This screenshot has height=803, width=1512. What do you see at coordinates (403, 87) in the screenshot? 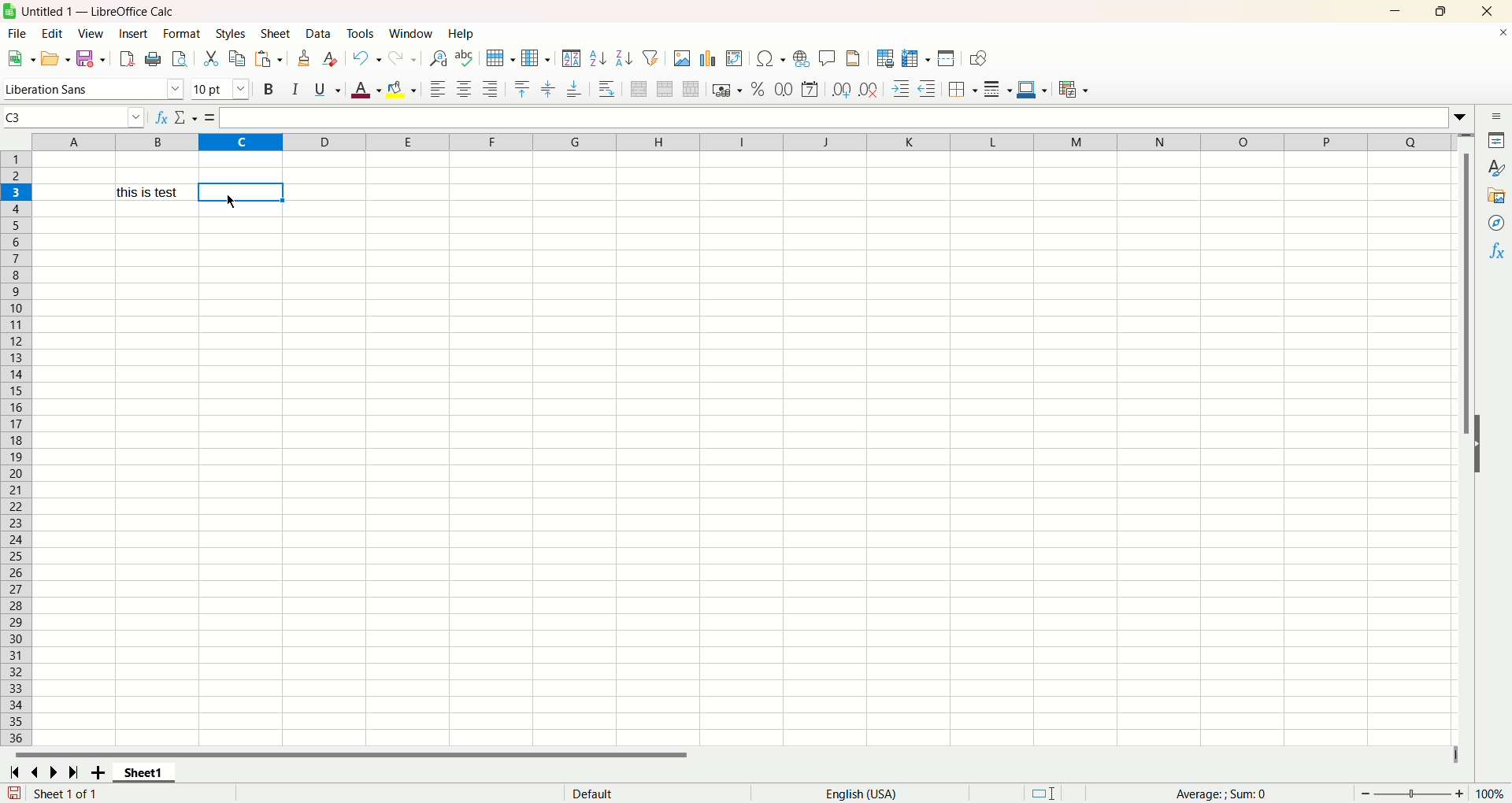
I see `background color` at bounding box center [403, 87].